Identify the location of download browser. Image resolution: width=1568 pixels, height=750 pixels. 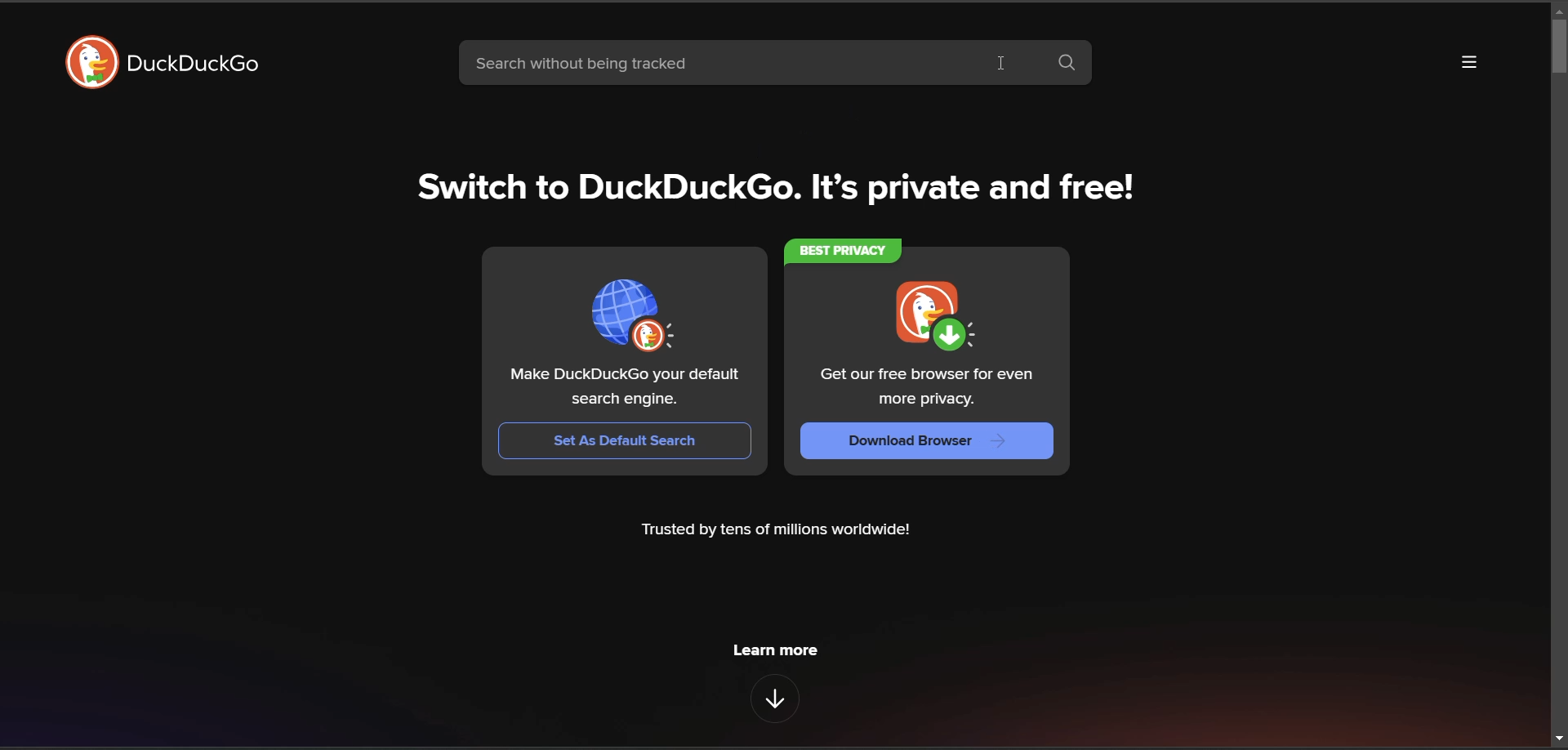
(924, 441).